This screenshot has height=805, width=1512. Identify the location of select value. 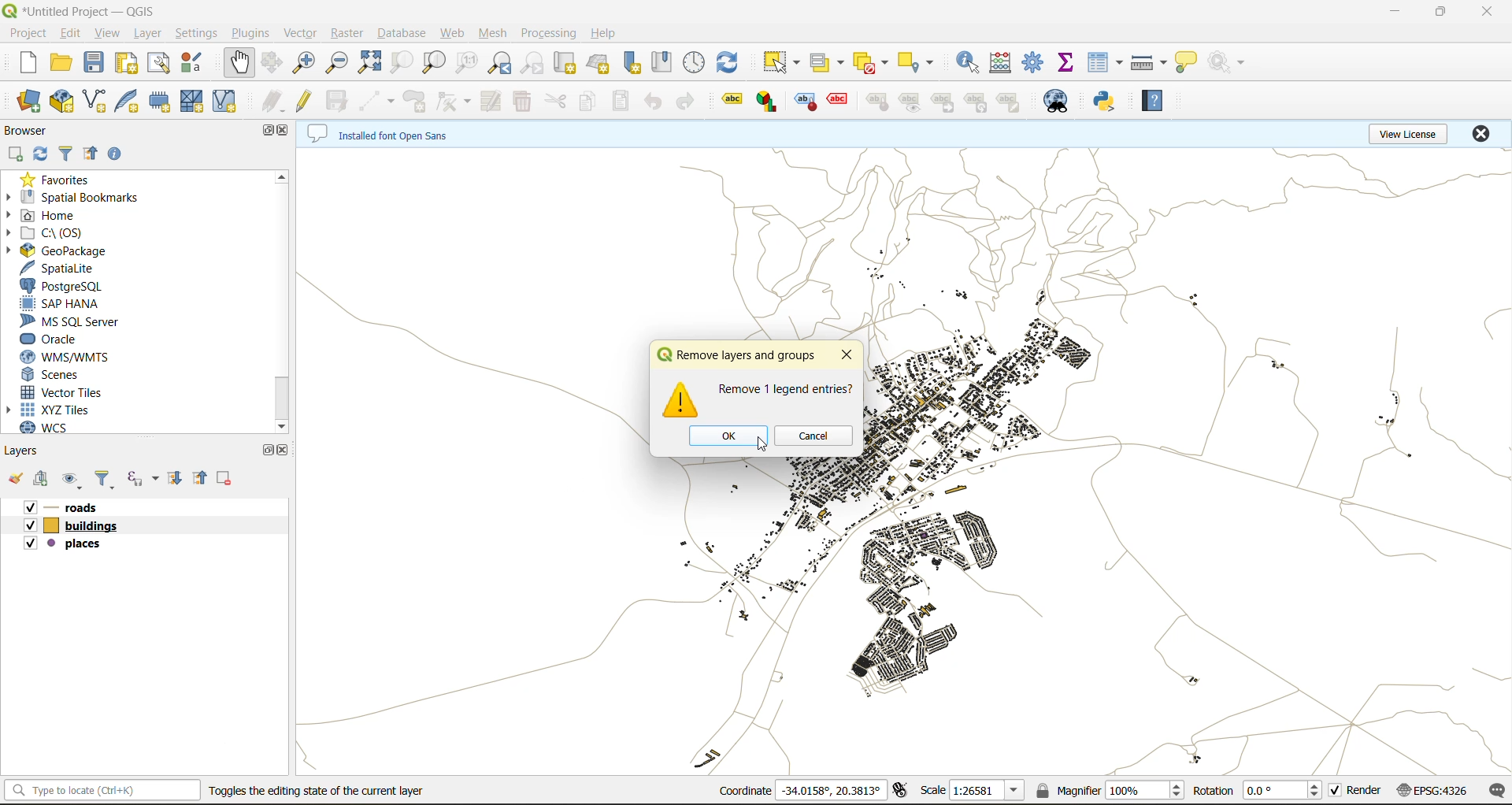
(830, 63).